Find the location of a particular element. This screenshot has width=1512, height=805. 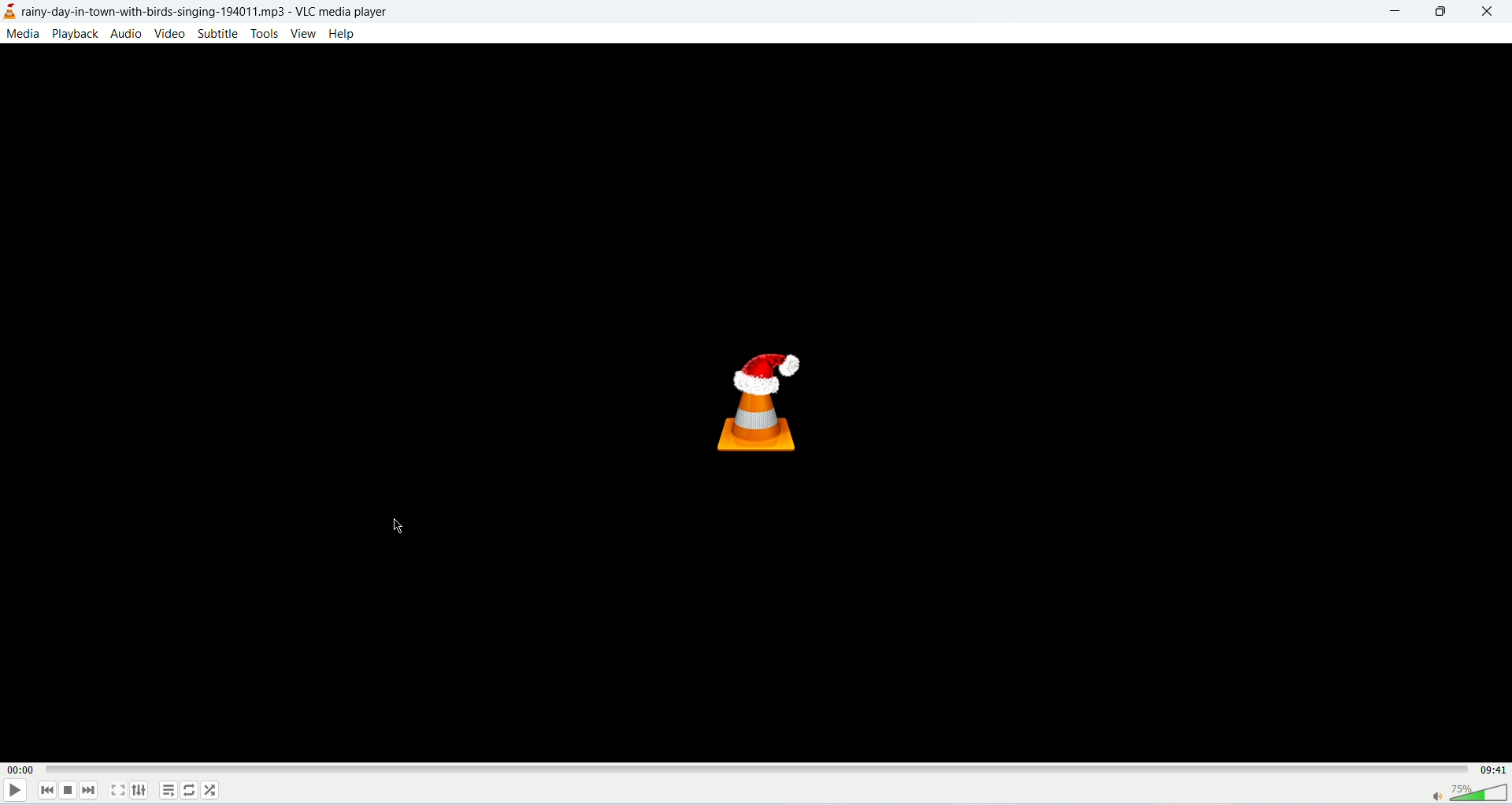

audio is located at coordinates (128, 33).